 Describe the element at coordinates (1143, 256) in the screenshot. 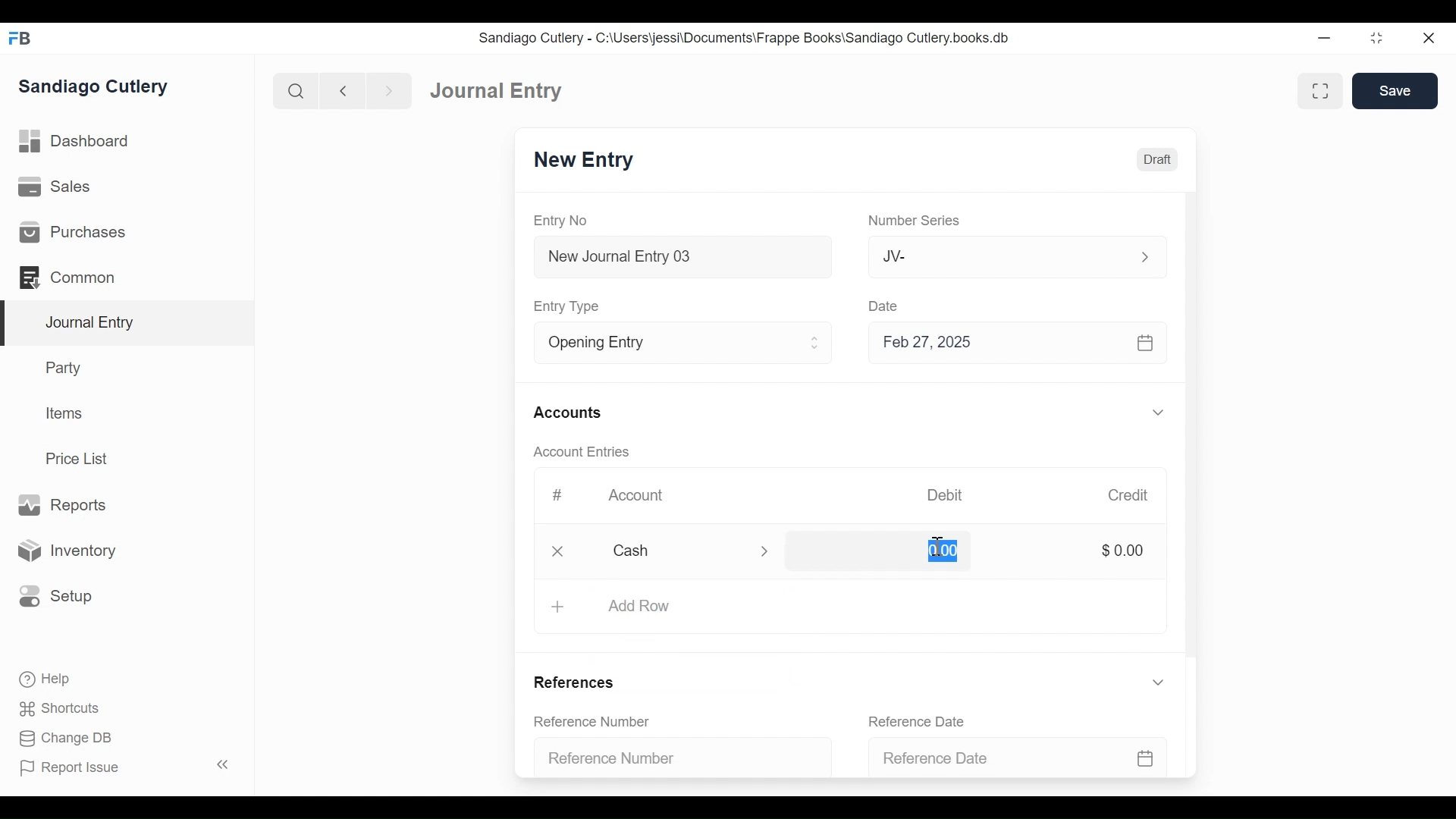

I see `Expand` at that location.